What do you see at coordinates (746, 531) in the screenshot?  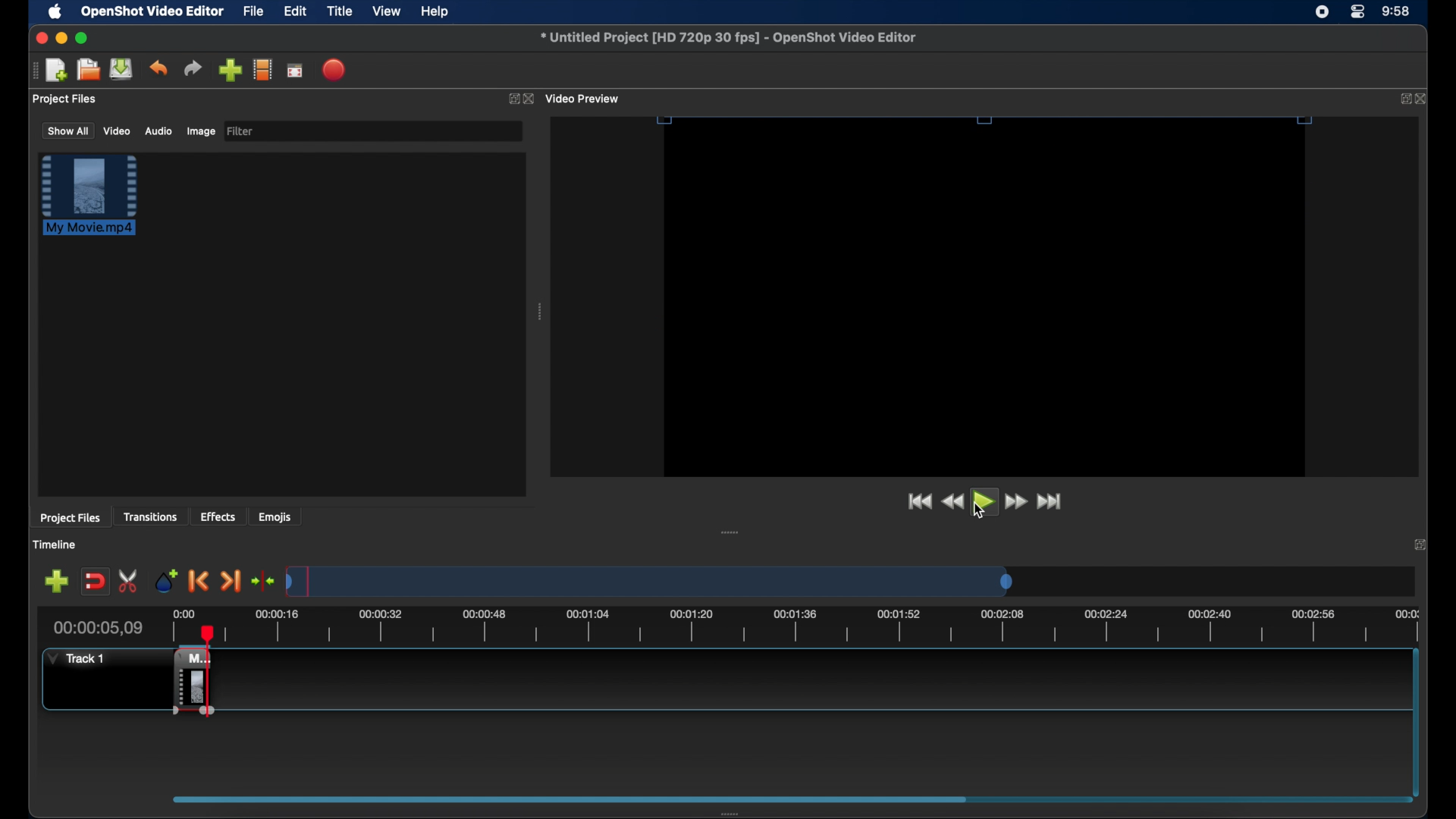 I see `center to left` at bounding box center [746, 531].